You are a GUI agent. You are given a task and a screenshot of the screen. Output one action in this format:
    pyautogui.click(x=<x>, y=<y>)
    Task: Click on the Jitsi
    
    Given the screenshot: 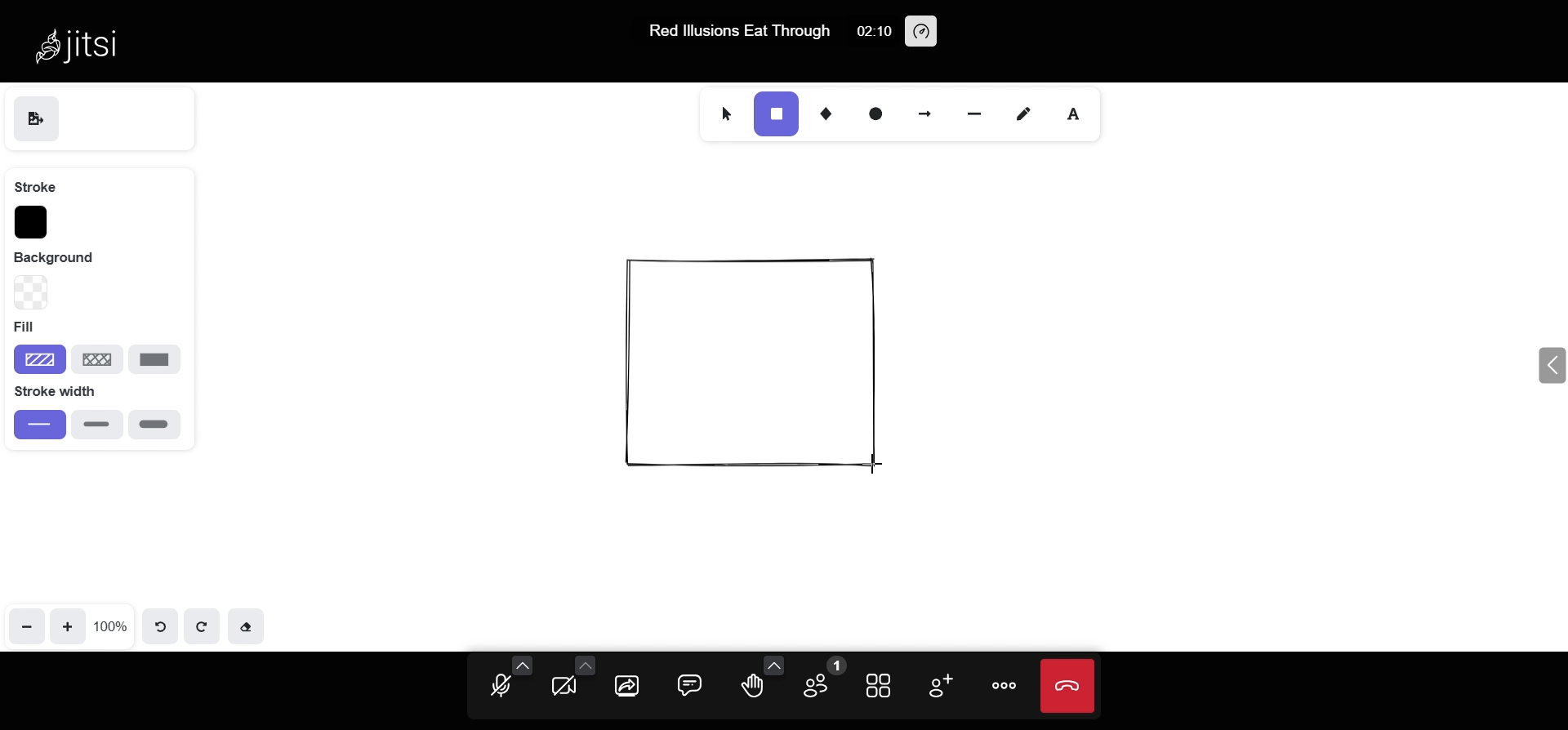 What is the action you would take?
    pyautogui.click(x=83, y=44)
    